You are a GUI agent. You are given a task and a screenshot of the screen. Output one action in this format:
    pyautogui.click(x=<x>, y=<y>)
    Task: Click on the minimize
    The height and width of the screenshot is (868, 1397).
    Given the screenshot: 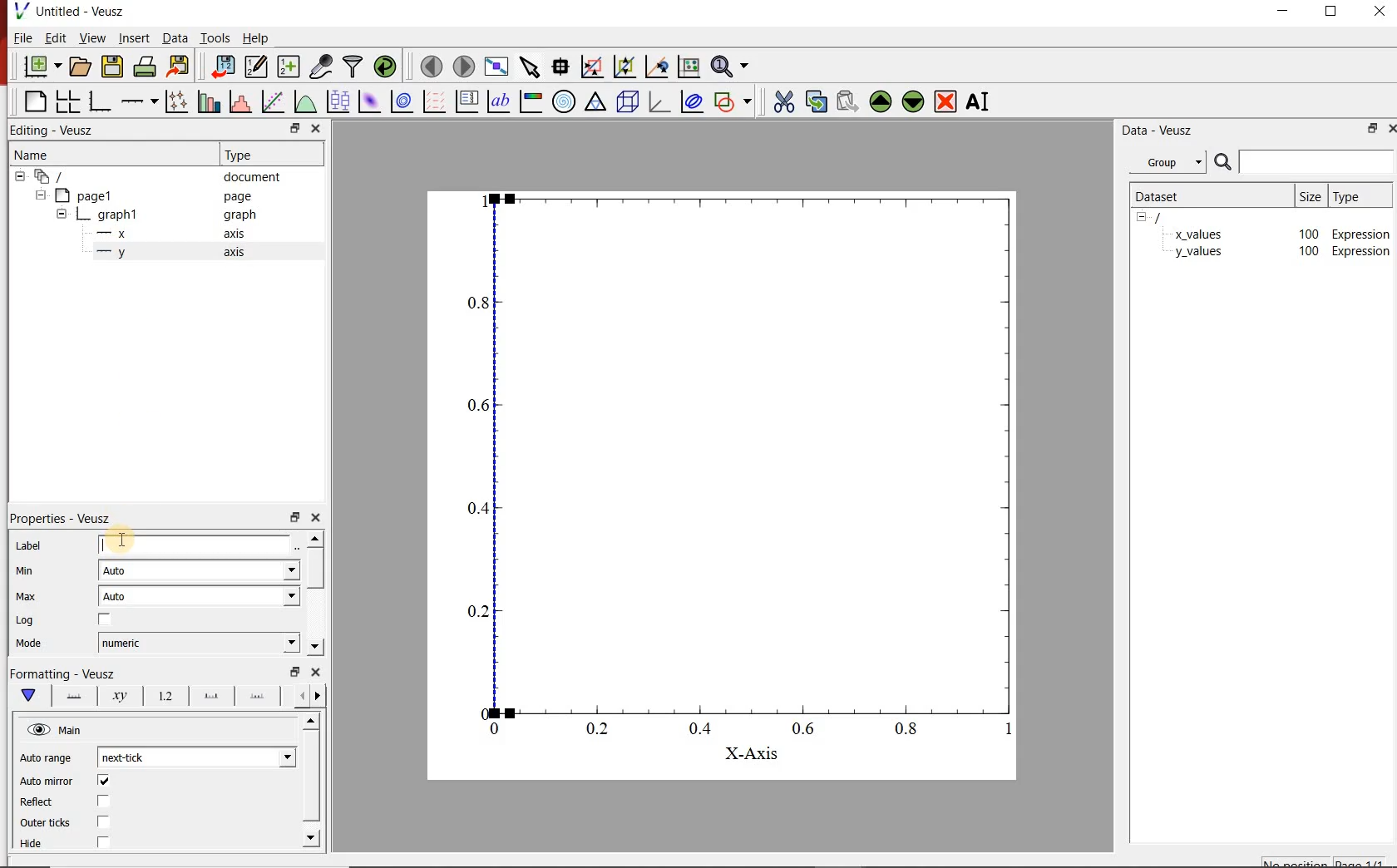 What is the action you would take?
    pyautogui.click(x=1282, y=13)
    